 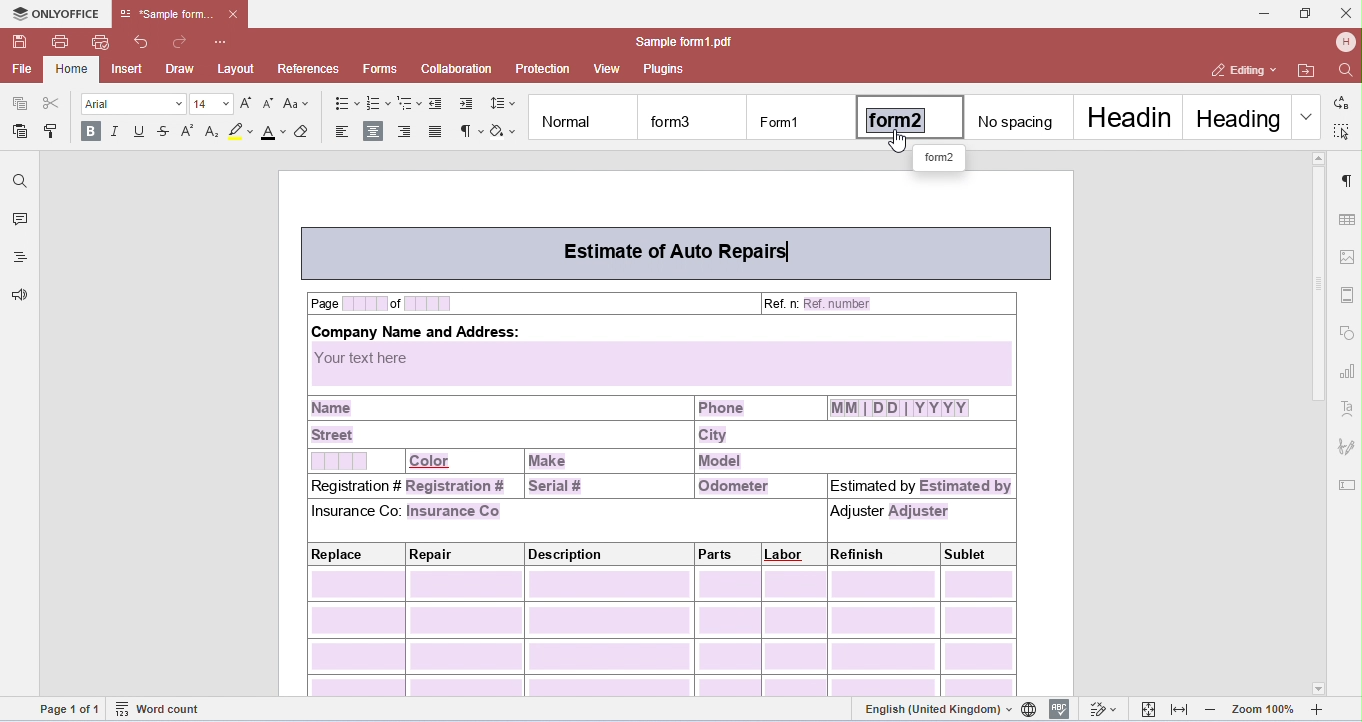 What do you see at coordinates (1235, 116) in the screenshot?
I see `heading` at bounding box center [1235, 116].